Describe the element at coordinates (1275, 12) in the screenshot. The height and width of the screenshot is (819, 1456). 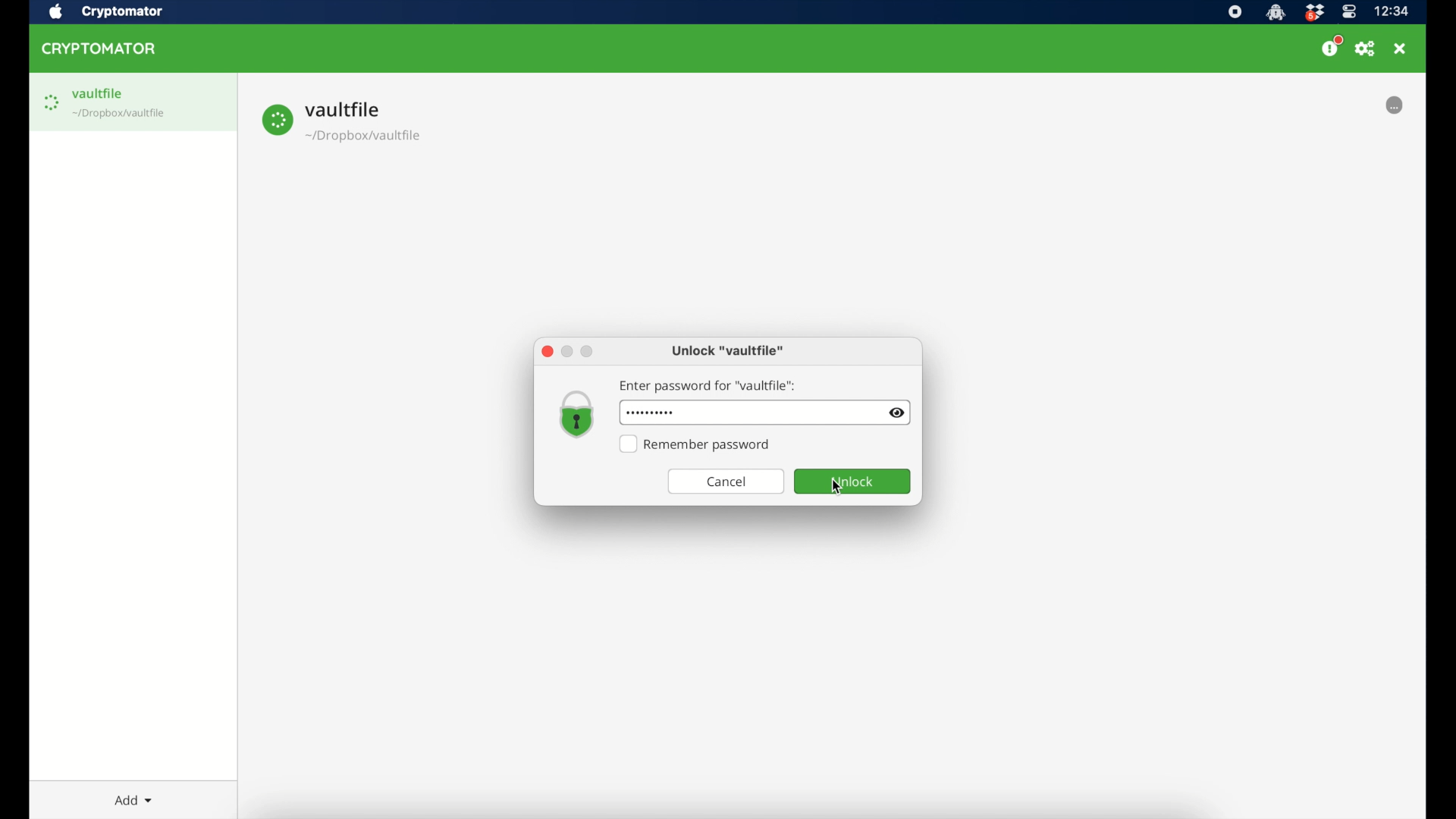
I see `cryptomator icon` at that location.